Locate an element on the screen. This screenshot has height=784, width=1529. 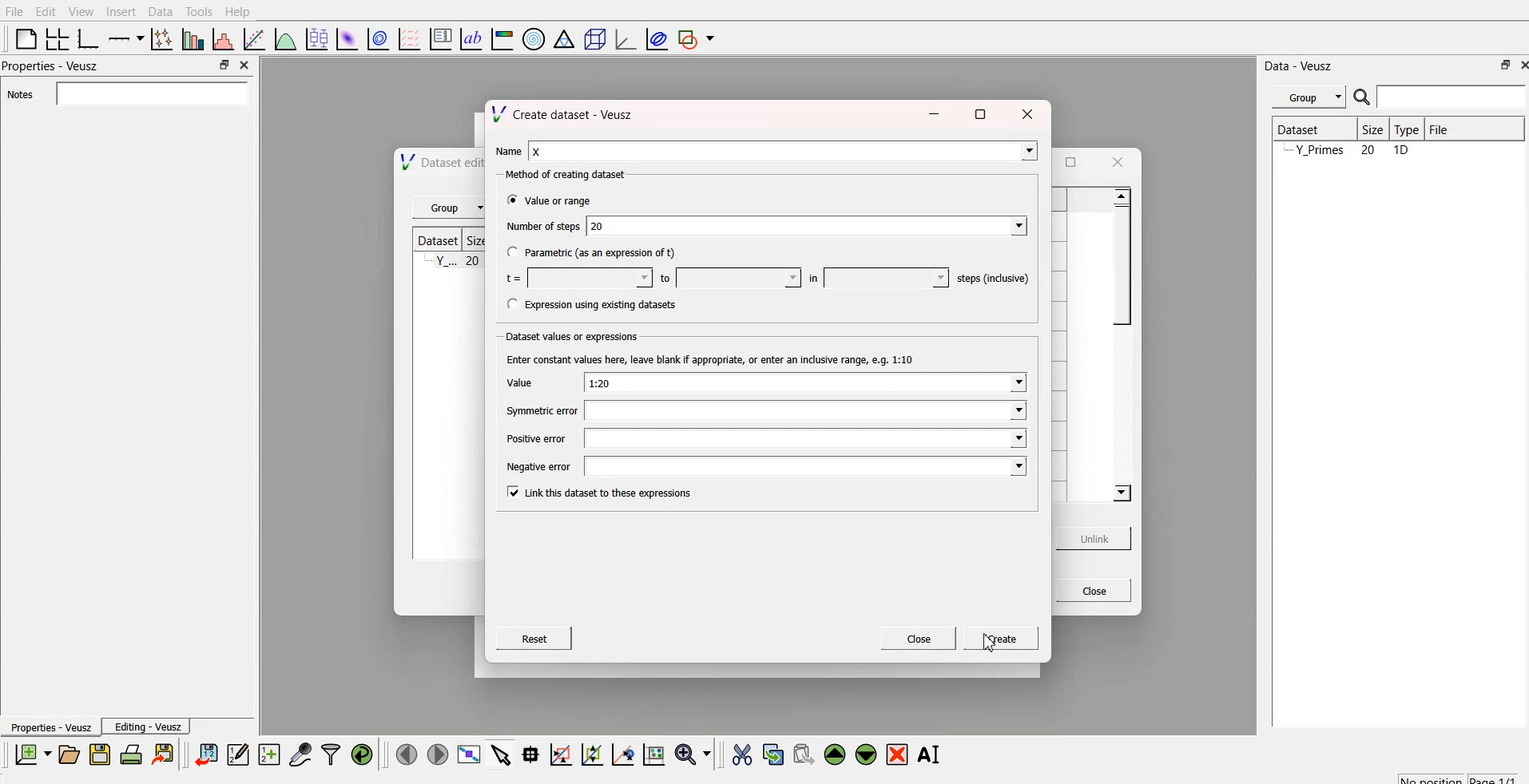
Reset | is located at coordinates (542, 638).